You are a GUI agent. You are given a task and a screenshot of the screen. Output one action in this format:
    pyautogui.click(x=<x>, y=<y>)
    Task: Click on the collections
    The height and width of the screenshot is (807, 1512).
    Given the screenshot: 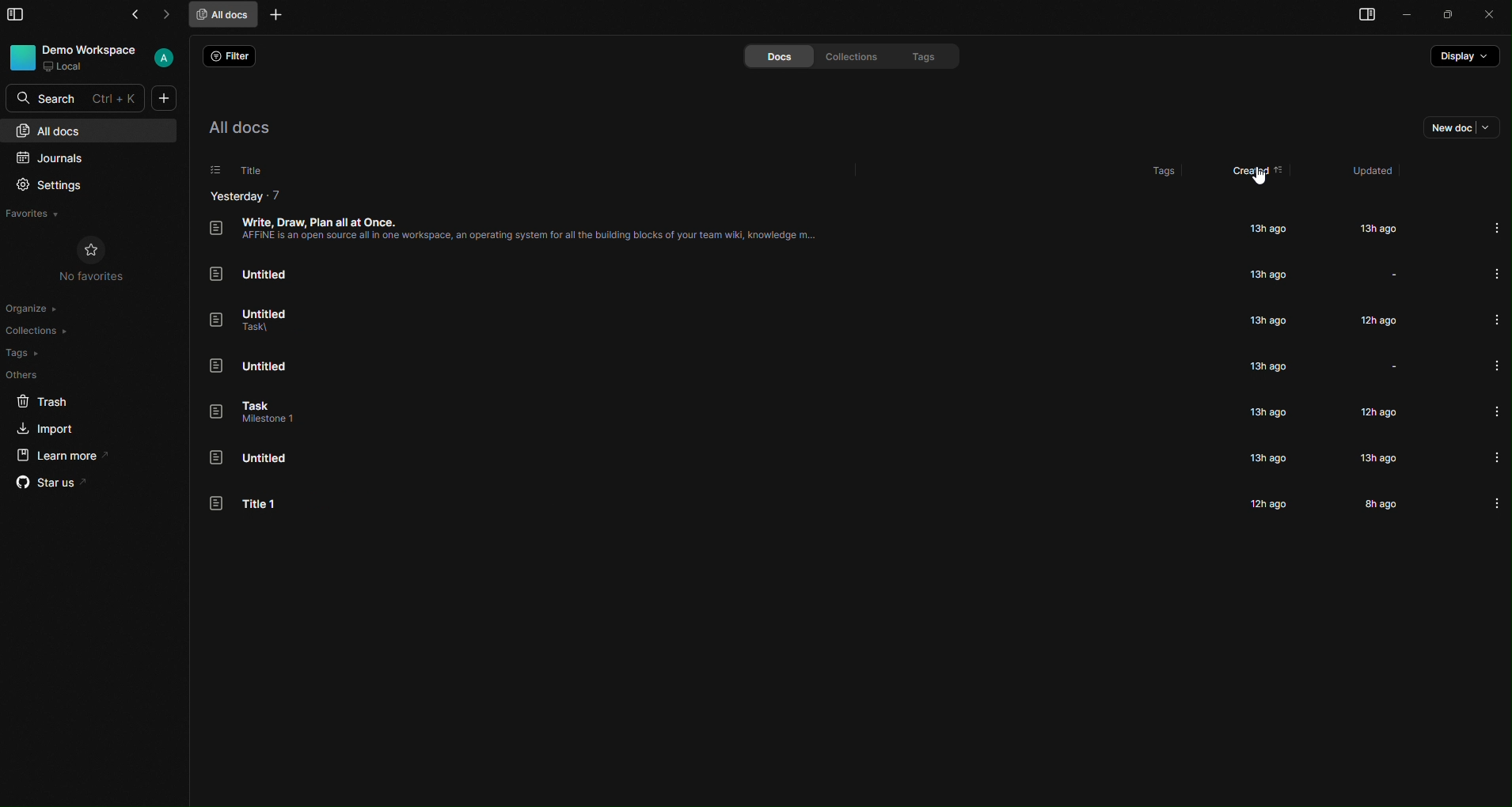 What is the action you would take?
    pyautogui.click(x=853, y=57)
    